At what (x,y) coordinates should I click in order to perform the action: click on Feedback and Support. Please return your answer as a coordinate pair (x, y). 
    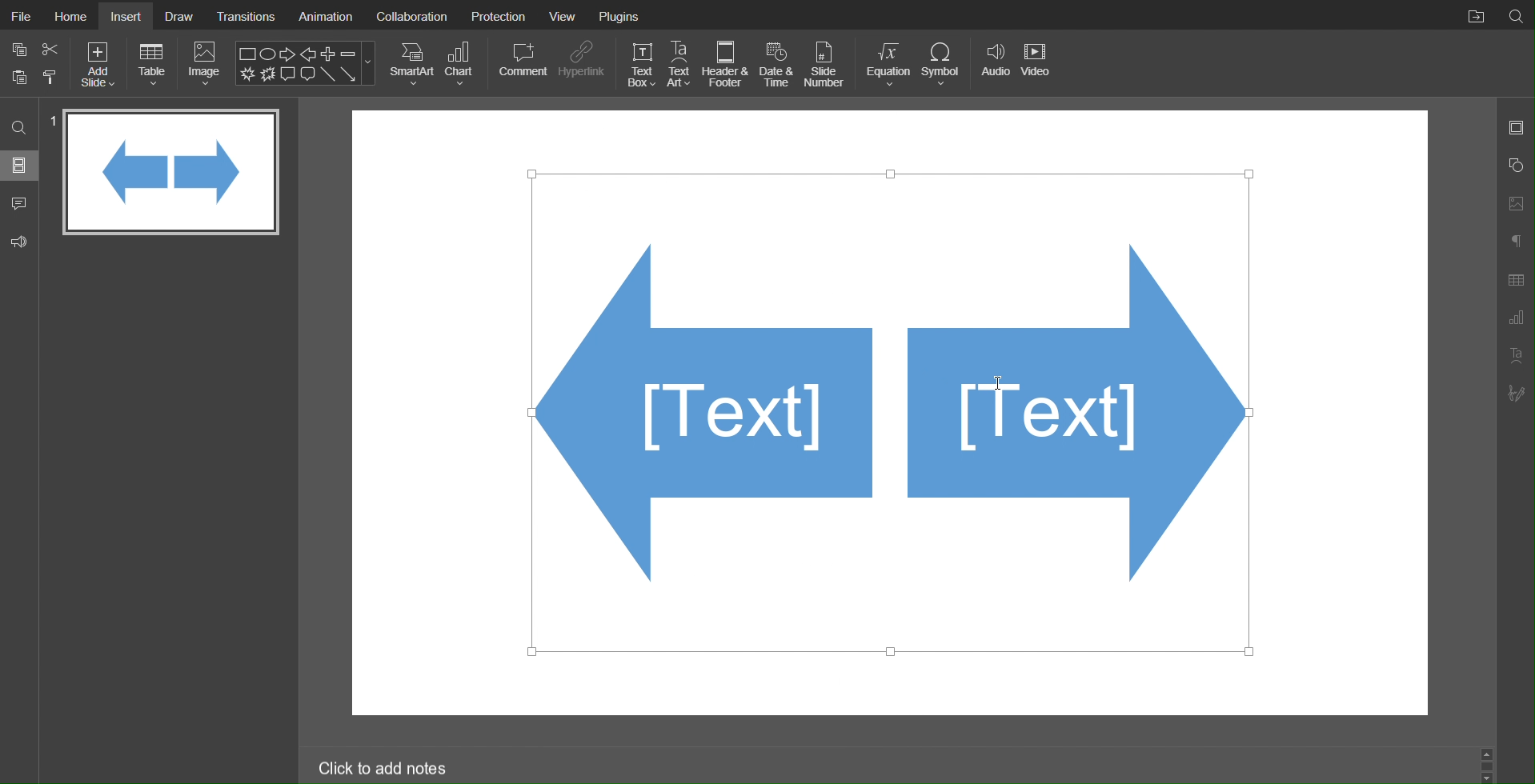
    Looking at the image, I should click on (20, 239).